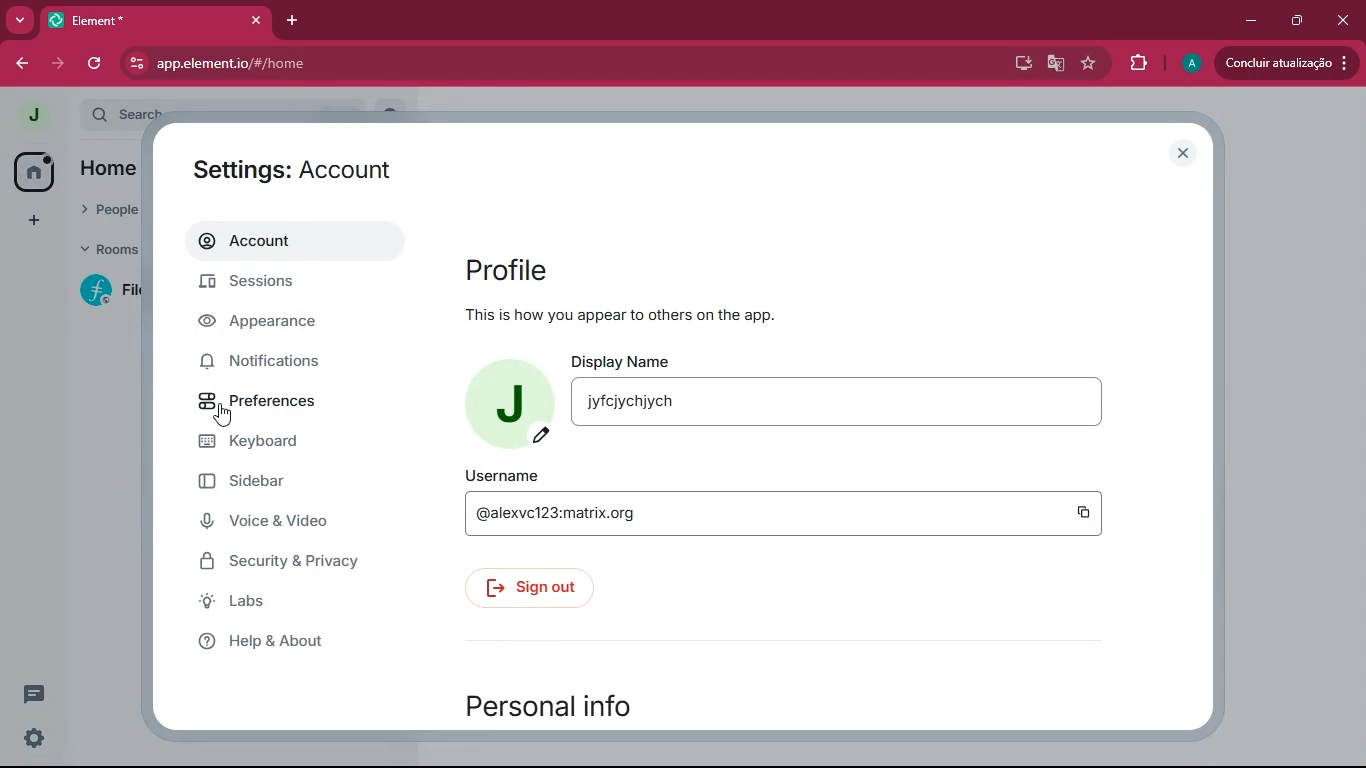  I want to click on tab, so click(134, 21).